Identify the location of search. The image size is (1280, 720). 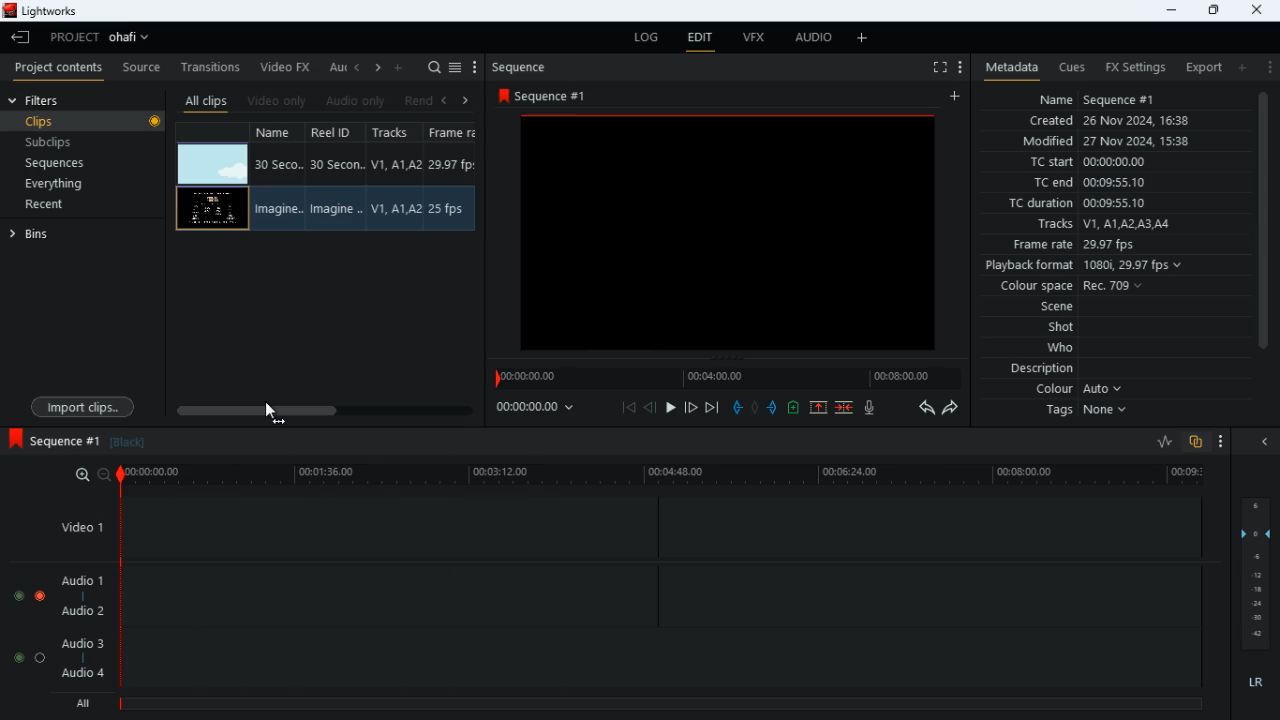
(435, 65).